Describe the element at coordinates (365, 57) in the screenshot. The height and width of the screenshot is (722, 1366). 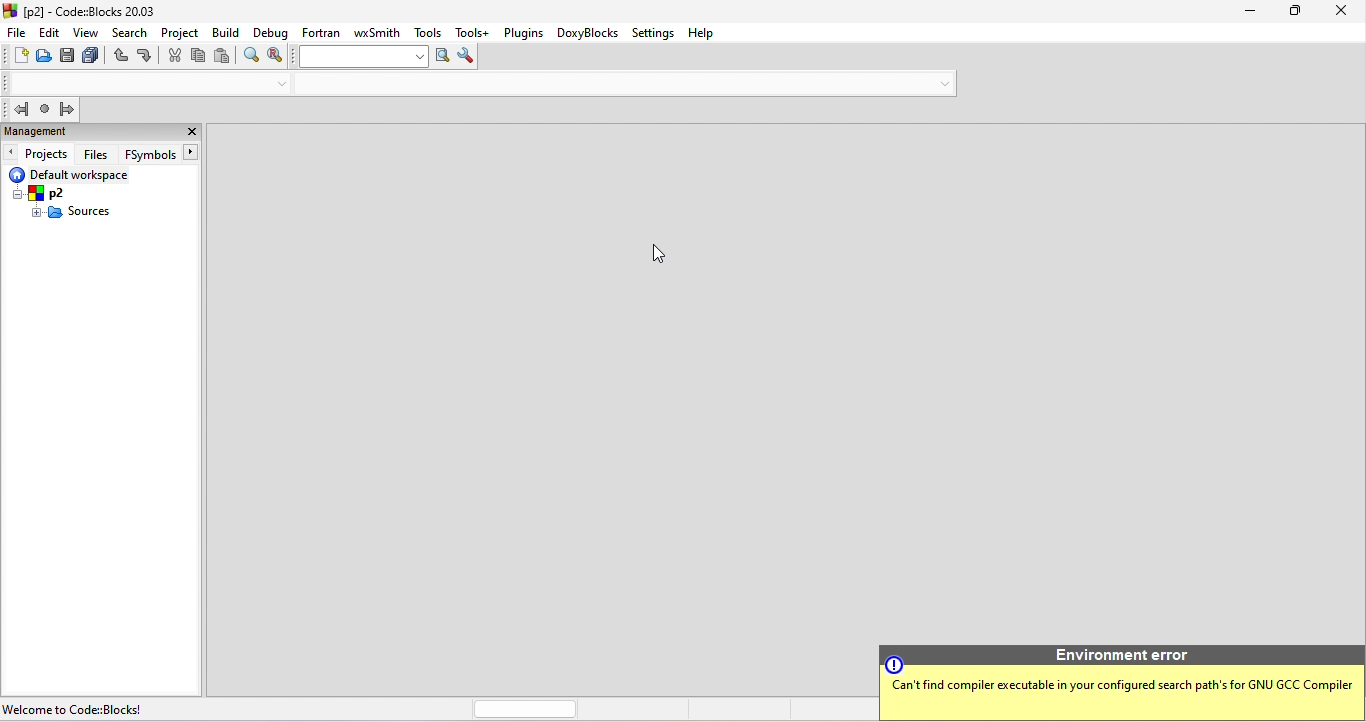
I see `search text box` at that location.